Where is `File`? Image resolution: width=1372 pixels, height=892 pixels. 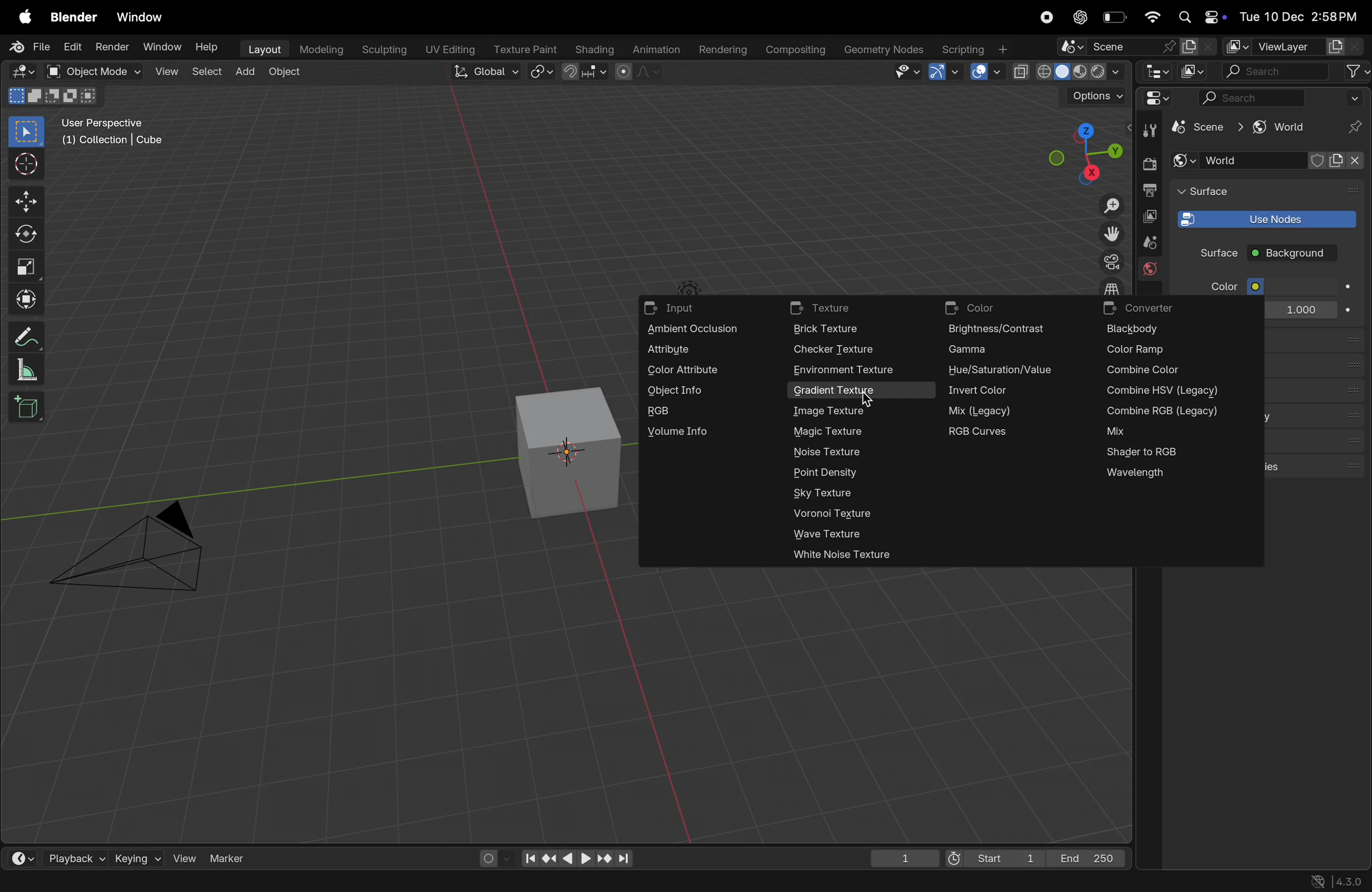
File is located at coordinates (31, 48).